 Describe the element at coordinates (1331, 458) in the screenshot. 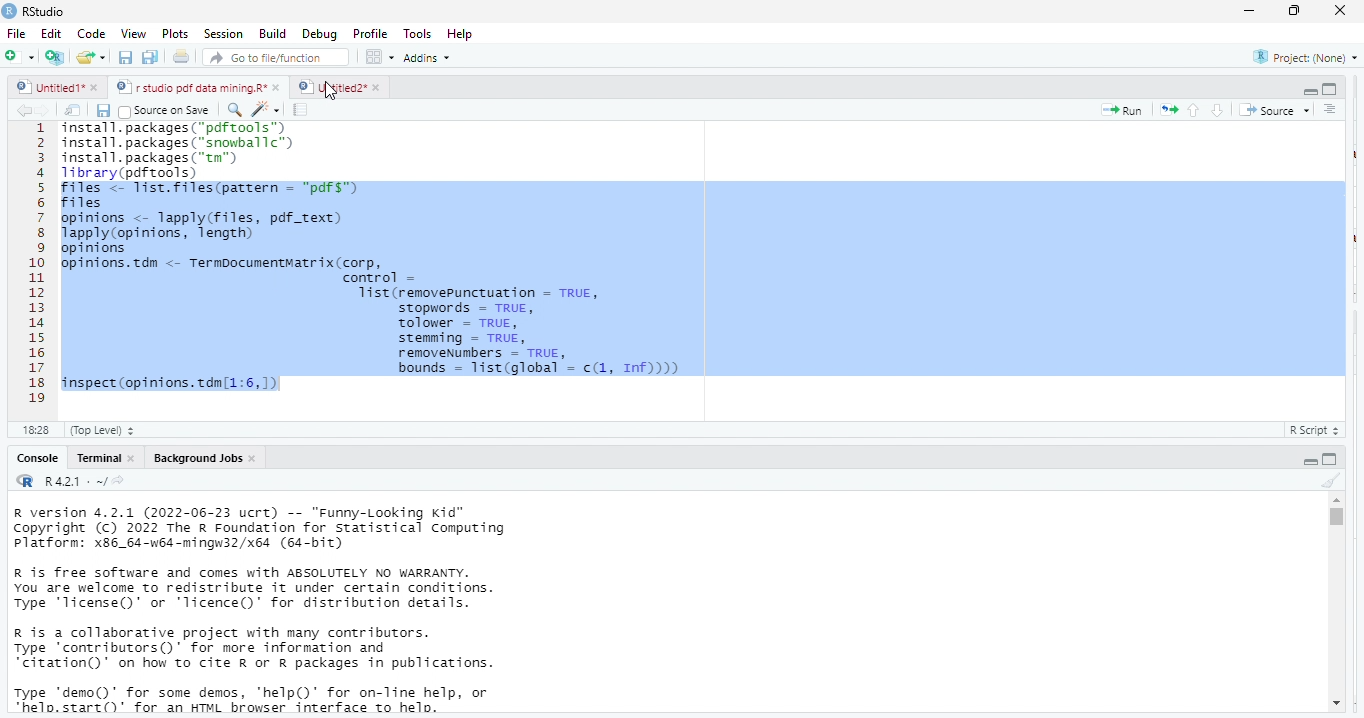

I see `hide console` at that location.